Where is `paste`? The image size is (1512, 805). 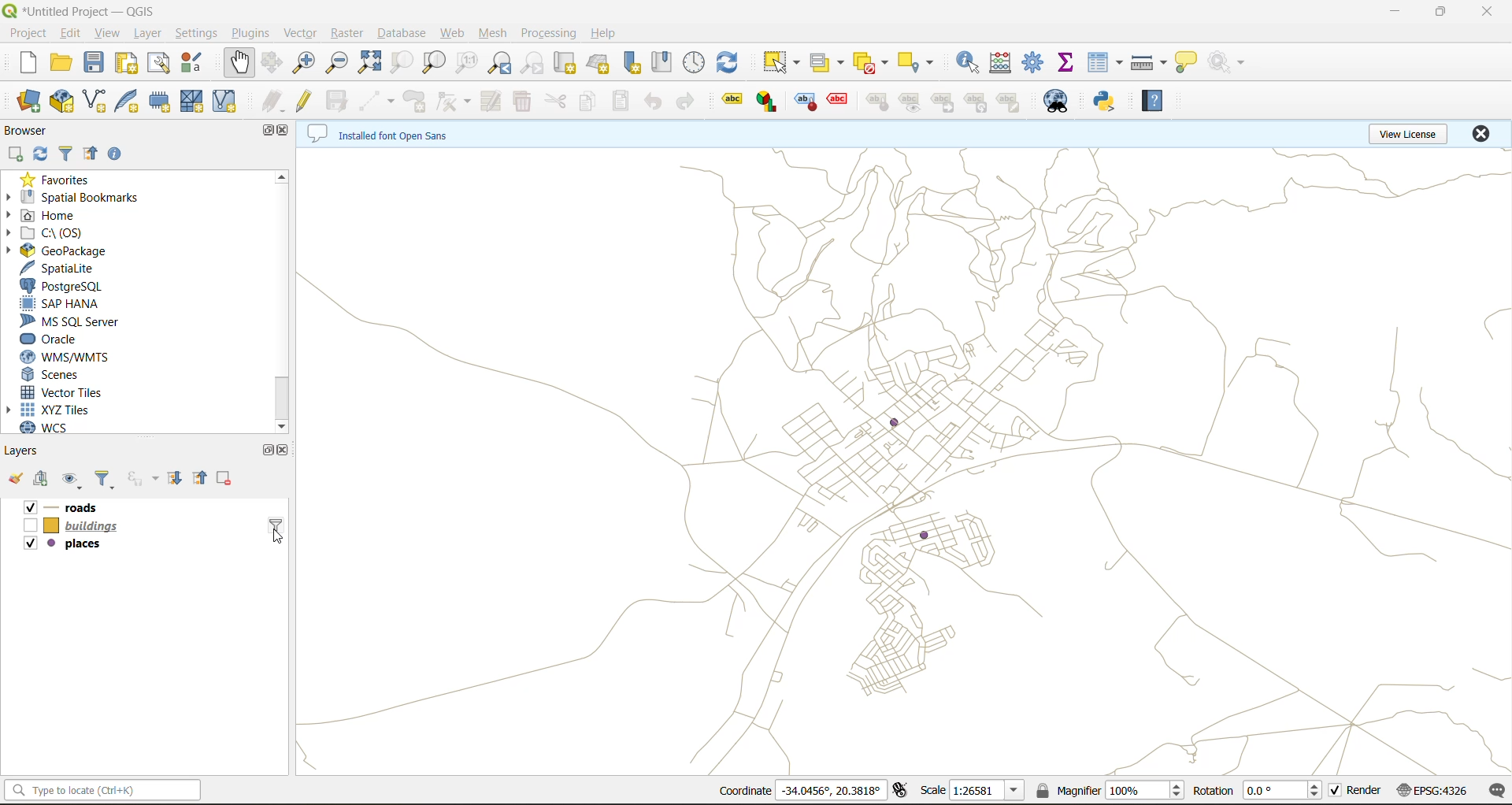
paste is located at coordinates (619, 103).